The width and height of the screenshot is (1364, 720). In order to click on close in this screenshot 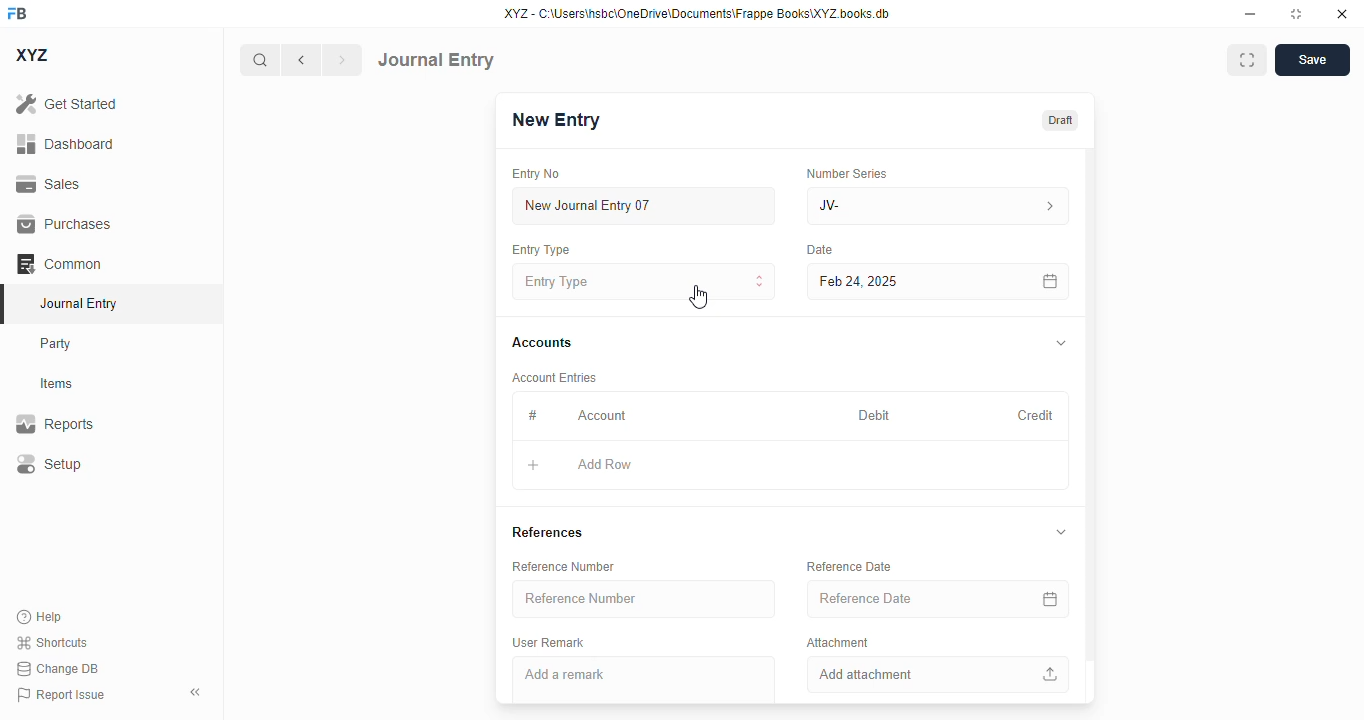, I will do `click(1342, 14)`.